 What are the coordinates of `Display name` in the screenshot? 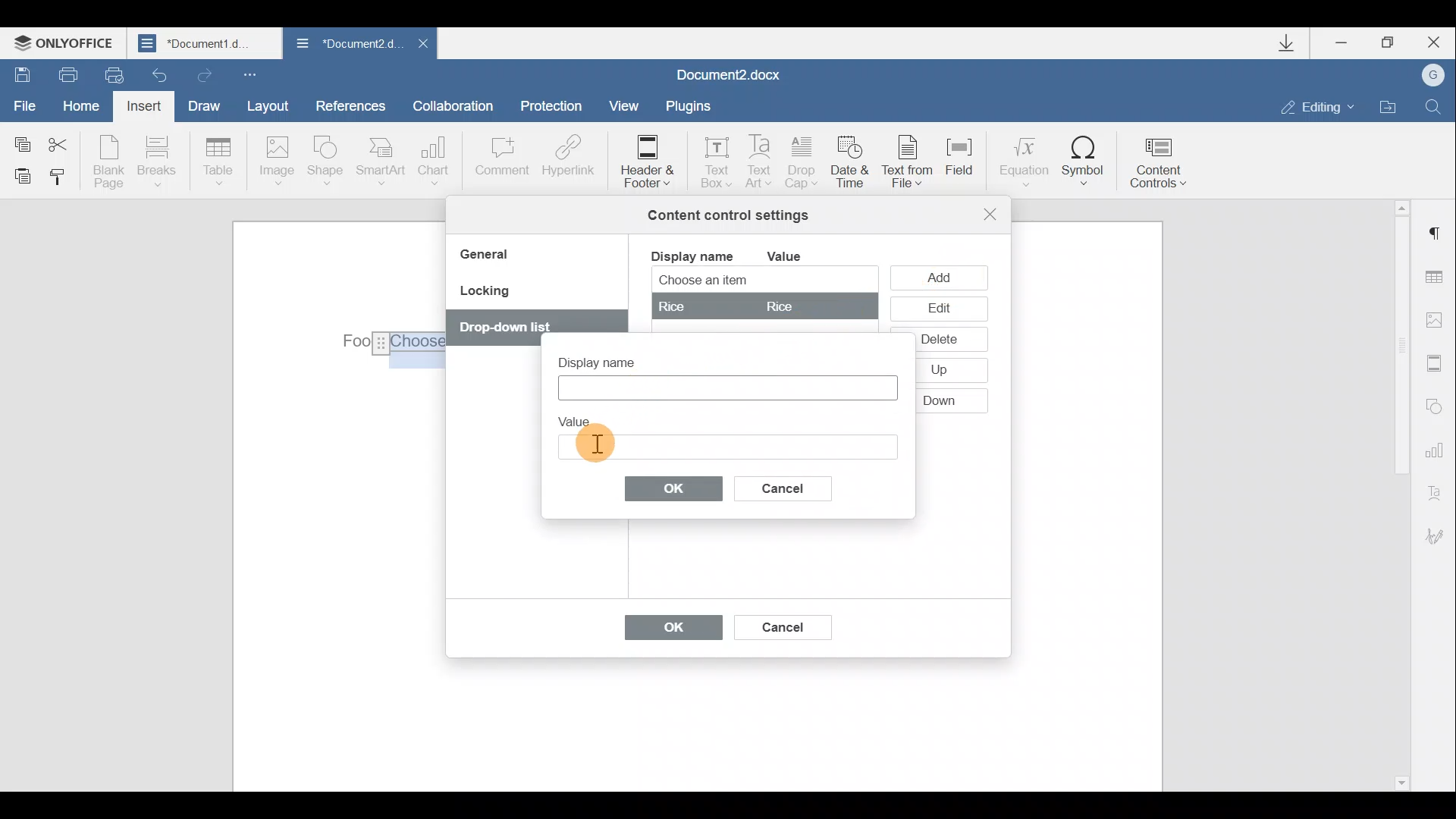 It's located at (610, 358).